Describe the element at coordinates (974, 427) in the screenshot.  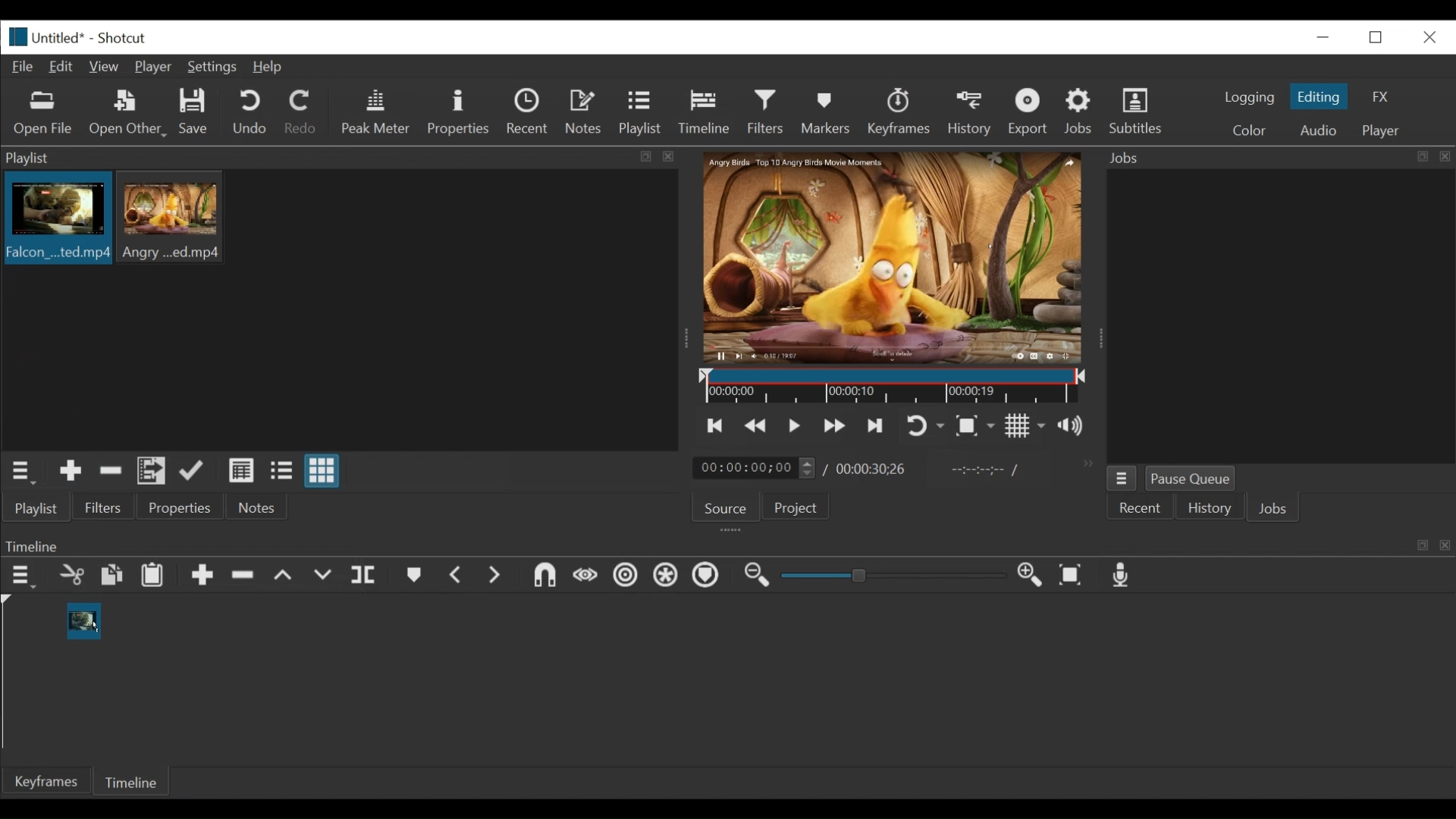
I see `Toggle zoom` at that location.